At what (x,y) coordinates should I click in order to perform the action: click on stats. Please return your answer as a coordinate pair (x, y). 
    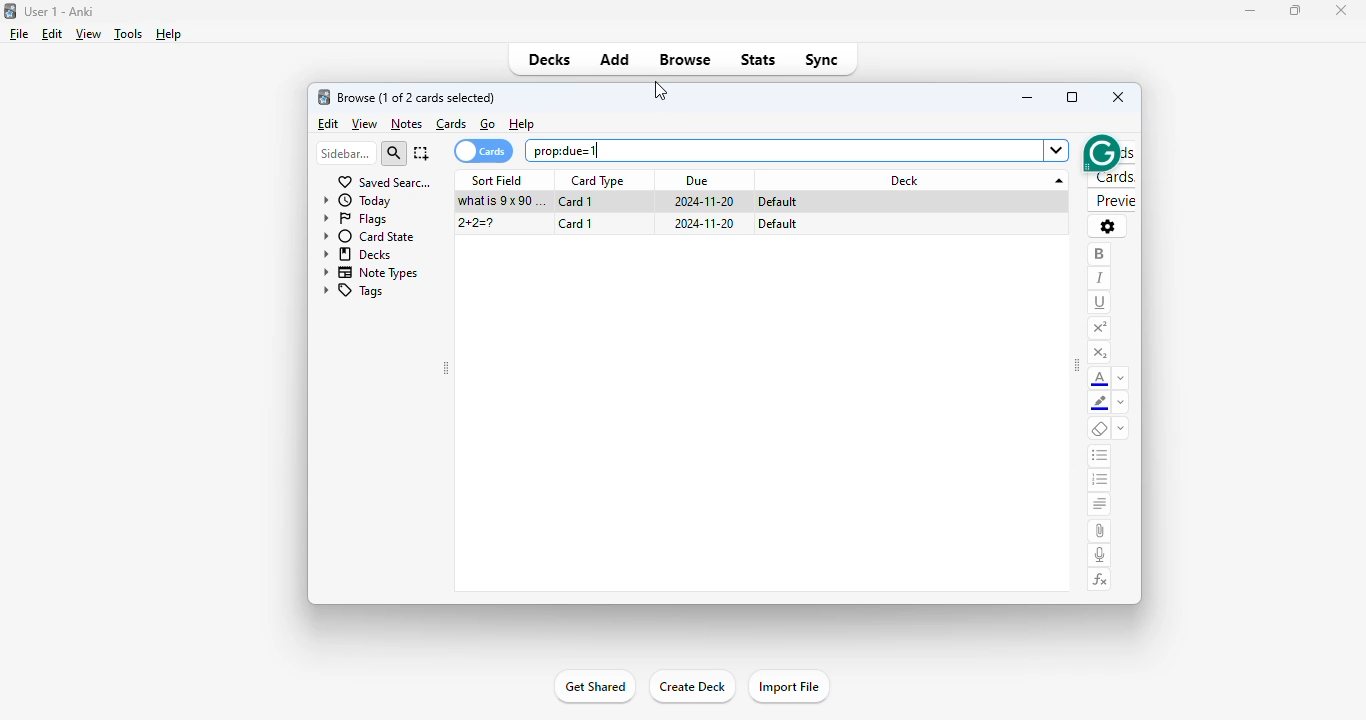
    Looking at the image, I should click on (758, 60).